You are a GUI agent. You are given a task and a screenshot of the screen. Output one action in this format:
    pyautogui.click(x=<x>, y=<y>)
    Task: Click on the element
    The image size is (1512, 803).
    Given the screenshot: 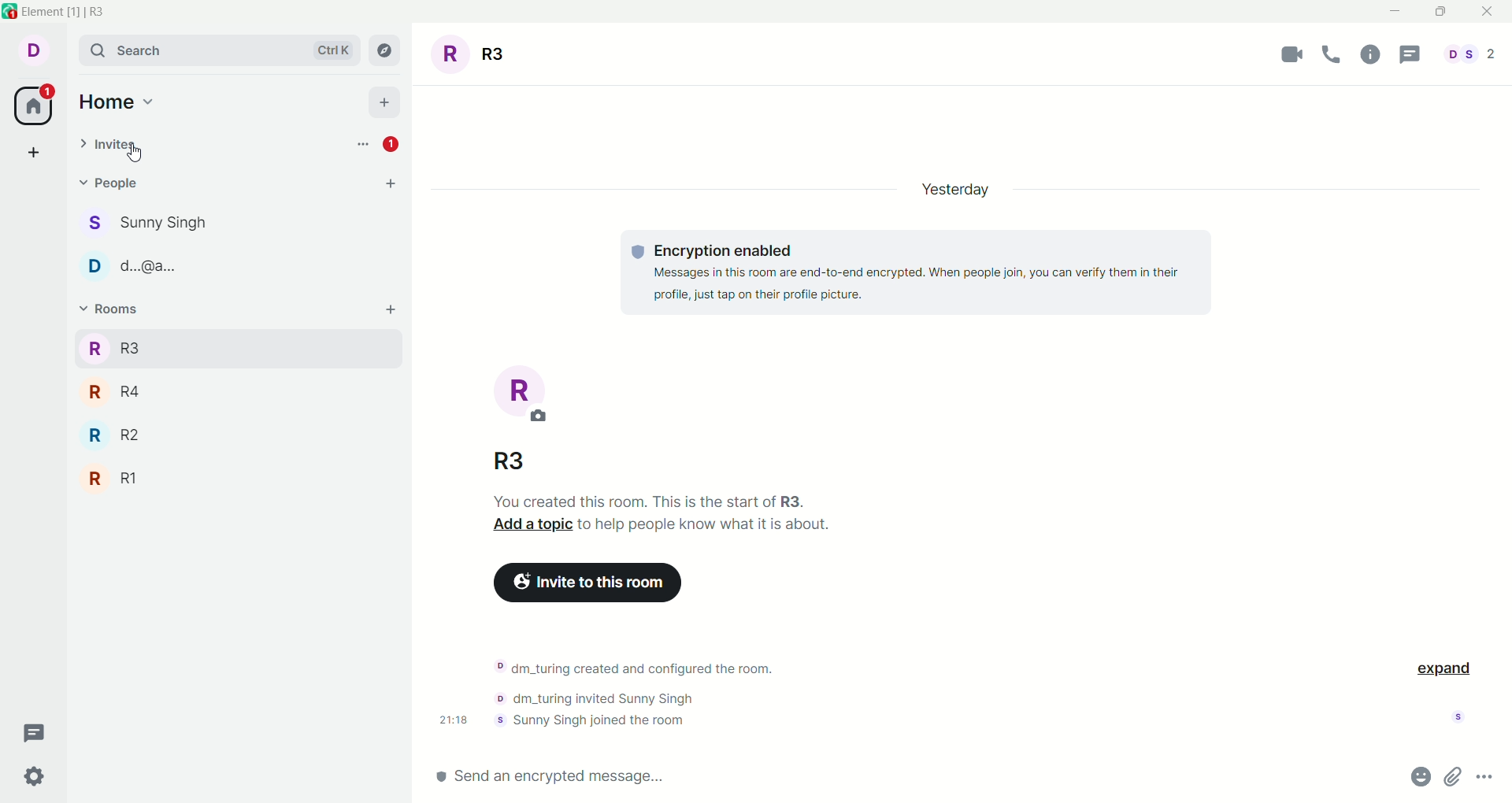 What is the action you would take?
    pyautogui.click(x=65, y=12)
    